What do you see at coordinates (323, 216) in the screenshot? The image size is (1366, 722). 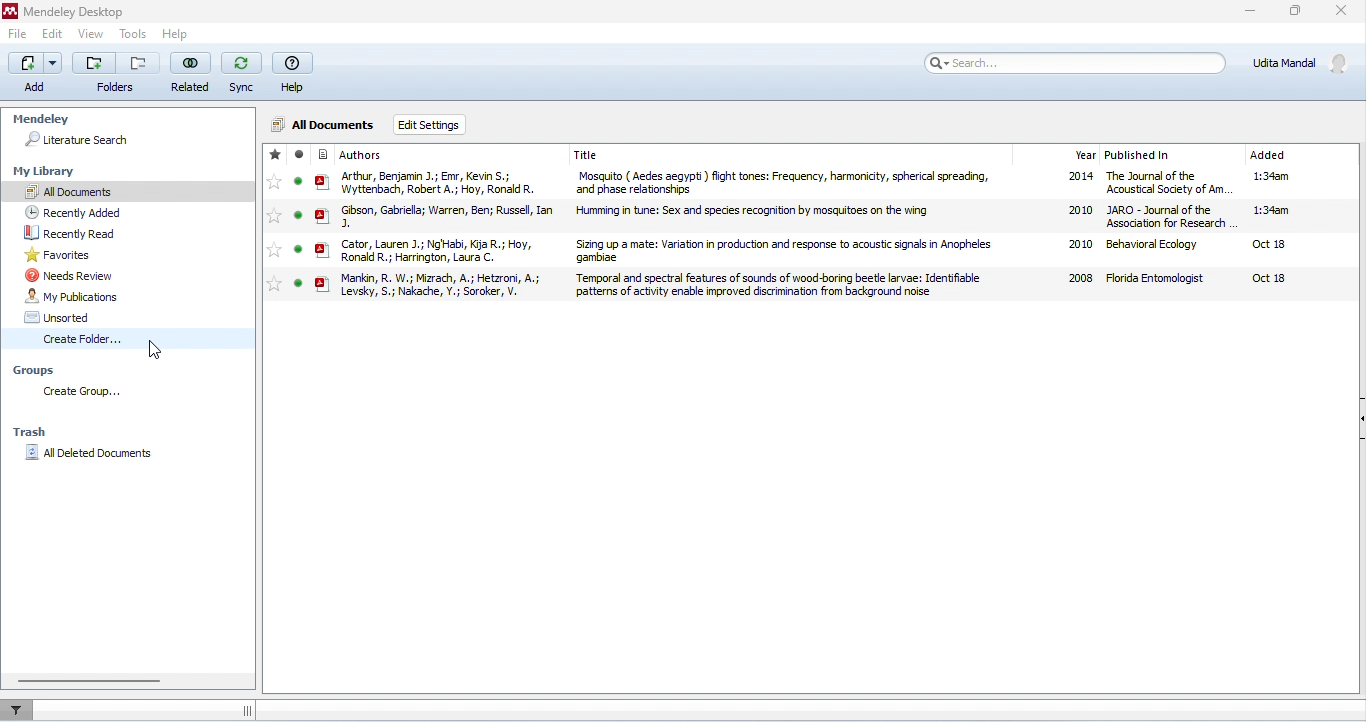 I see `pdf icon` at bounding box center [323, 216].